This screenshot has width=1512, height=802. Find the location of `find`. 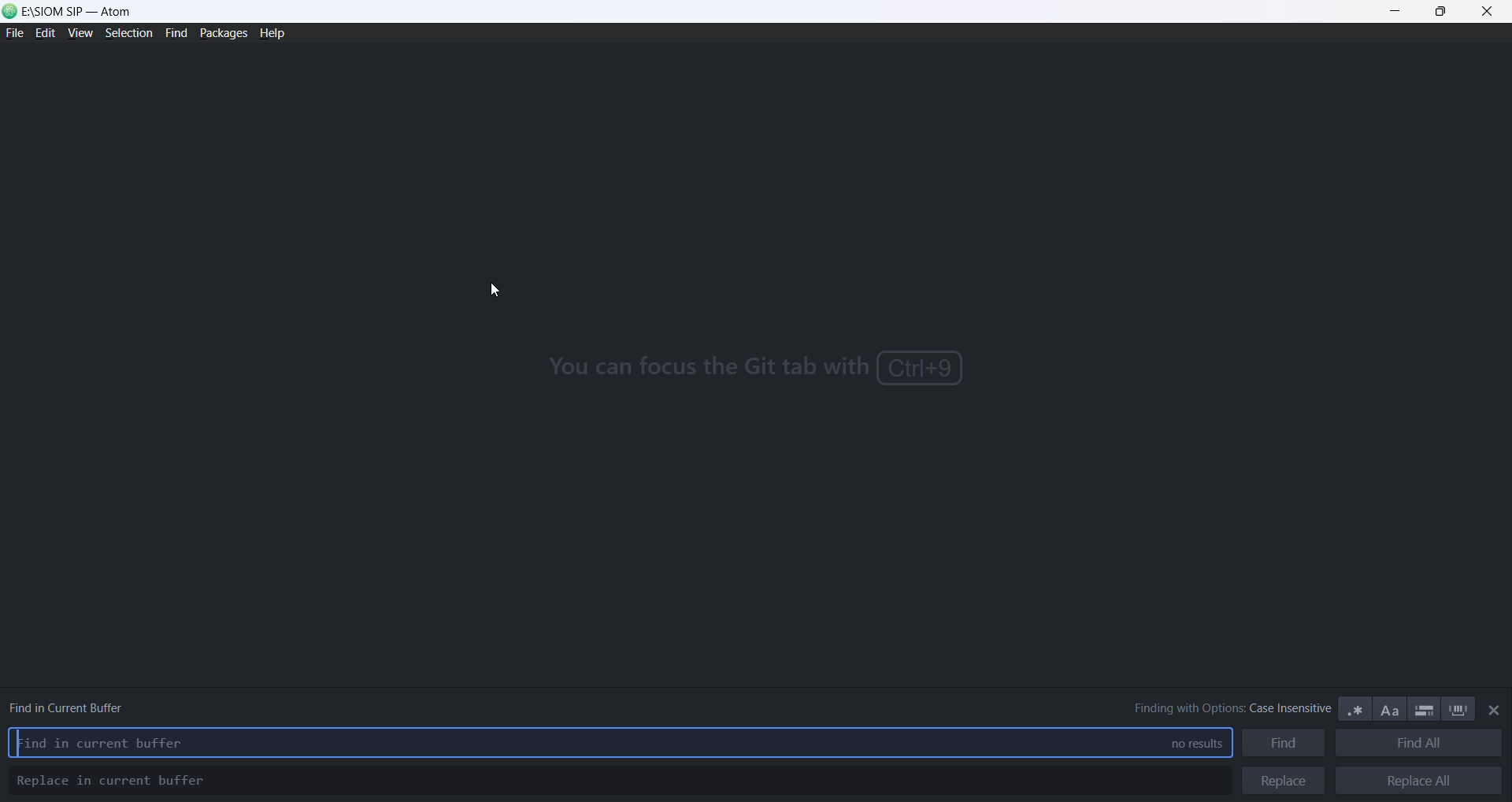

find is located at coordinates (173, 34).